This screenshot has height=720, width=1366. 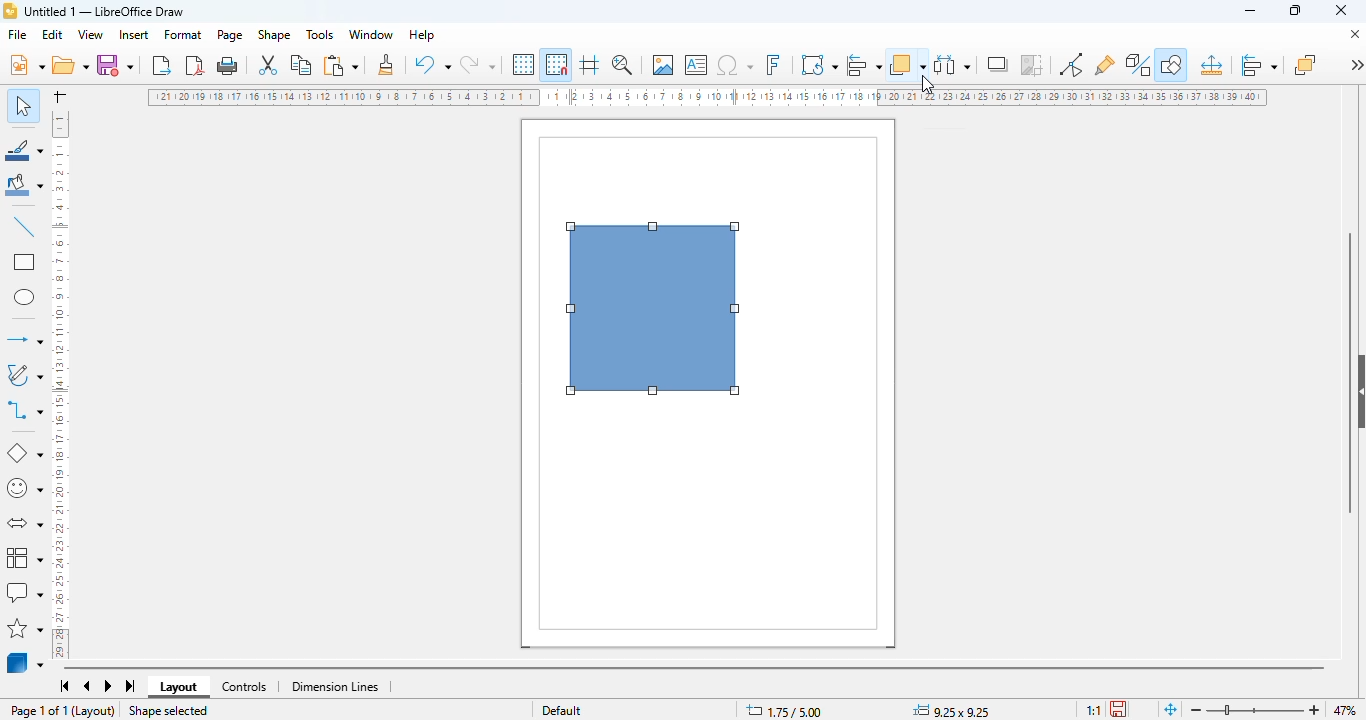 I want to click on page, so click(x=230, y=35).